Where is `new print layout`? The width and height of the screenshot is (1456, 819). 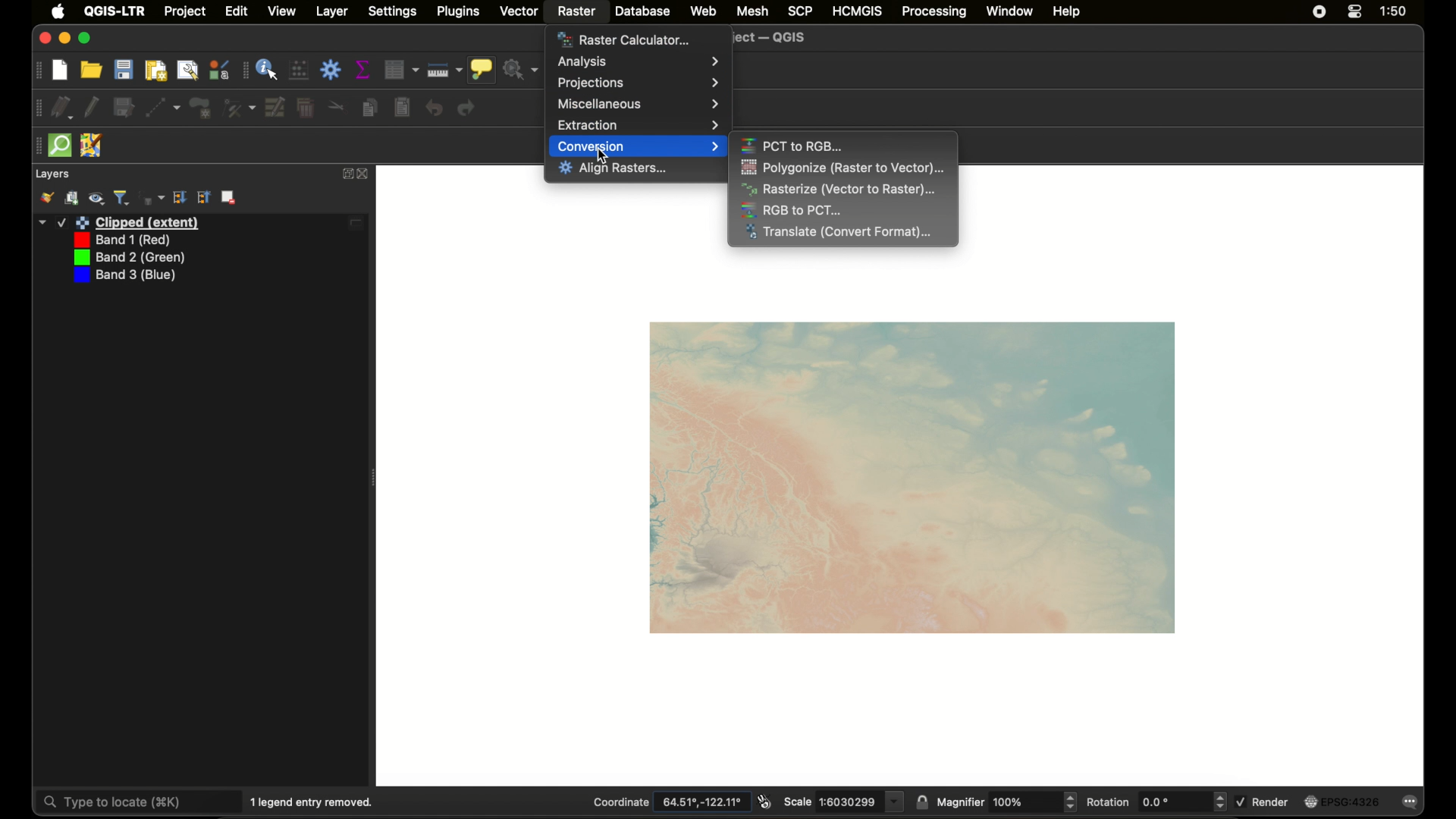
new print layout is located at coordinates (157, 71).